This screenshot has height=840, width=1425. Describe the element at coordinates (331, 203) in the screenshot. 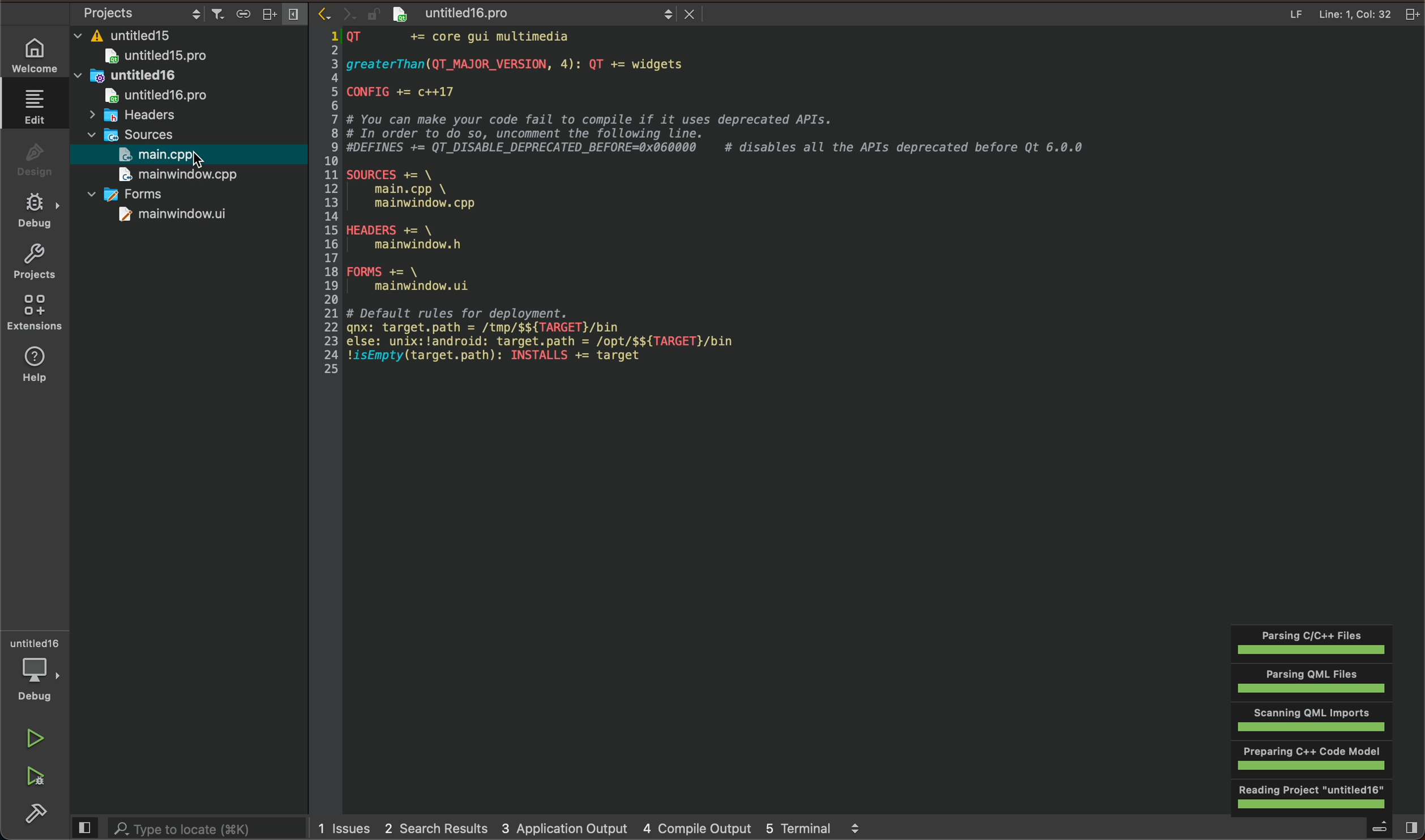

I see `numbered scale` at that location.